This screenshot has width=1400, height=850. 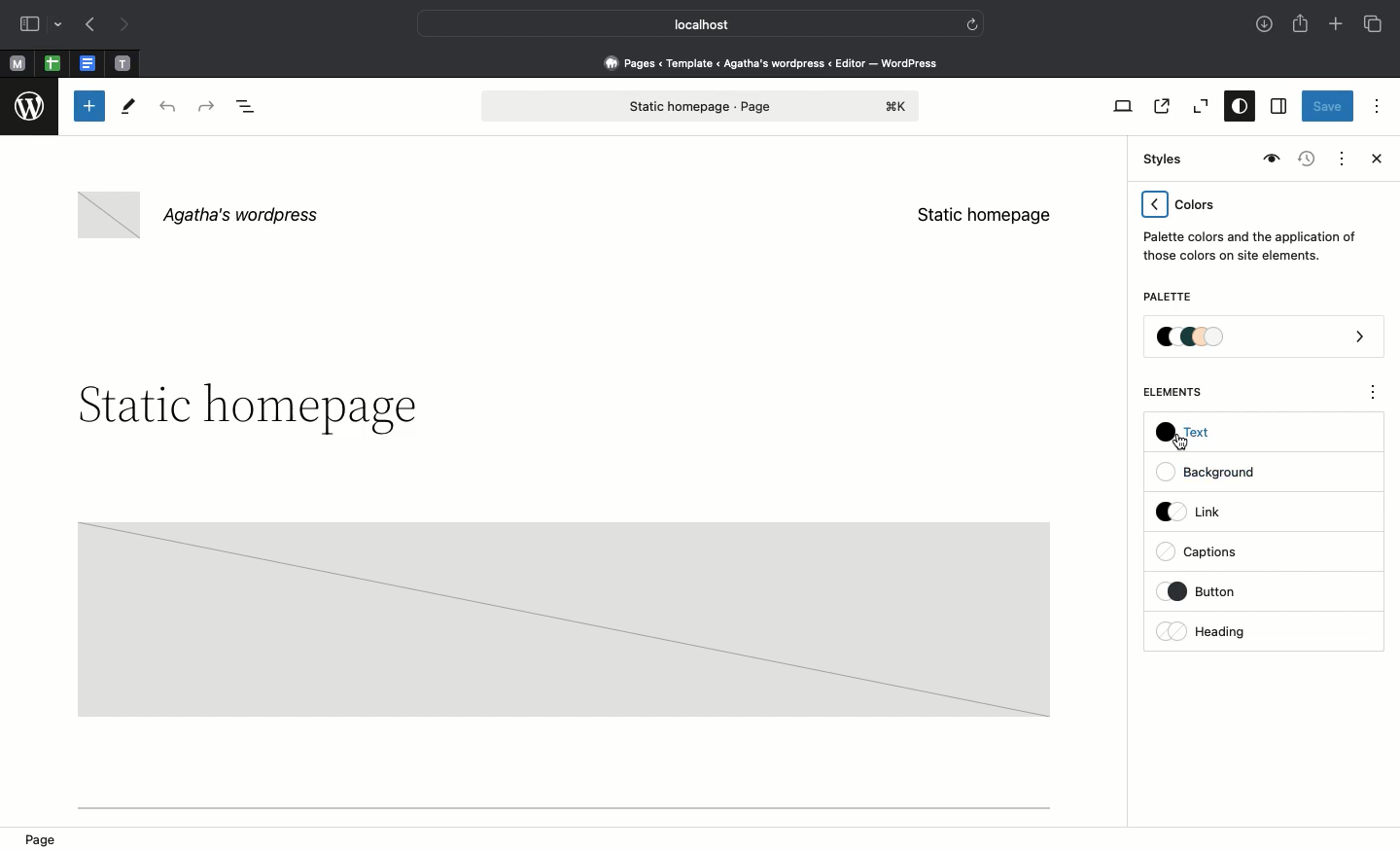 What do you see at coordinates (778, 62) in the screenshot?
I see `Pages < Template <Agatha's wordpress < editor - wordpress` at bounding box center [778, 62].